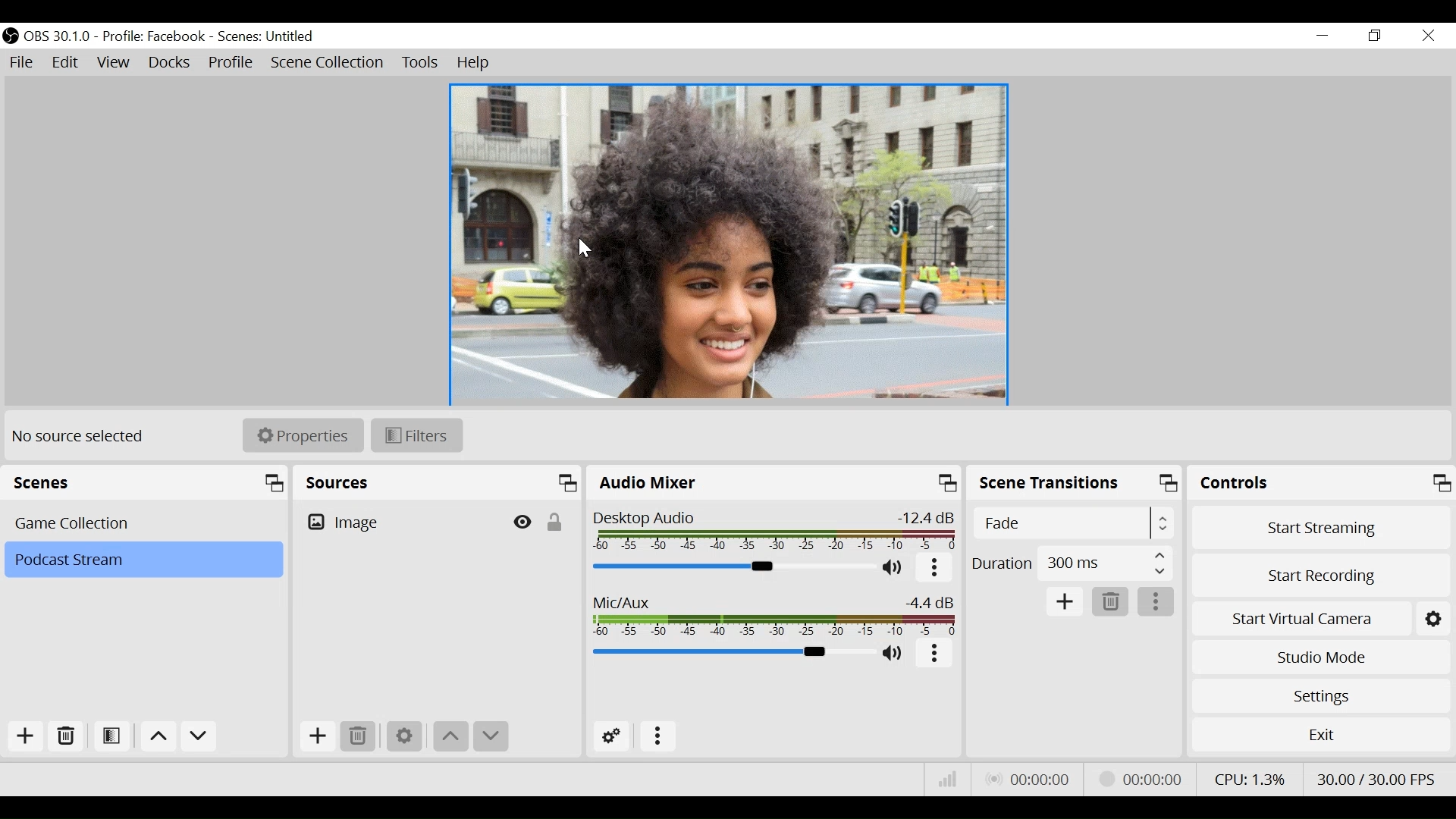 The height and width of the screenshot is (819, 1456). I want to click on Duration, so click(1072, 563).